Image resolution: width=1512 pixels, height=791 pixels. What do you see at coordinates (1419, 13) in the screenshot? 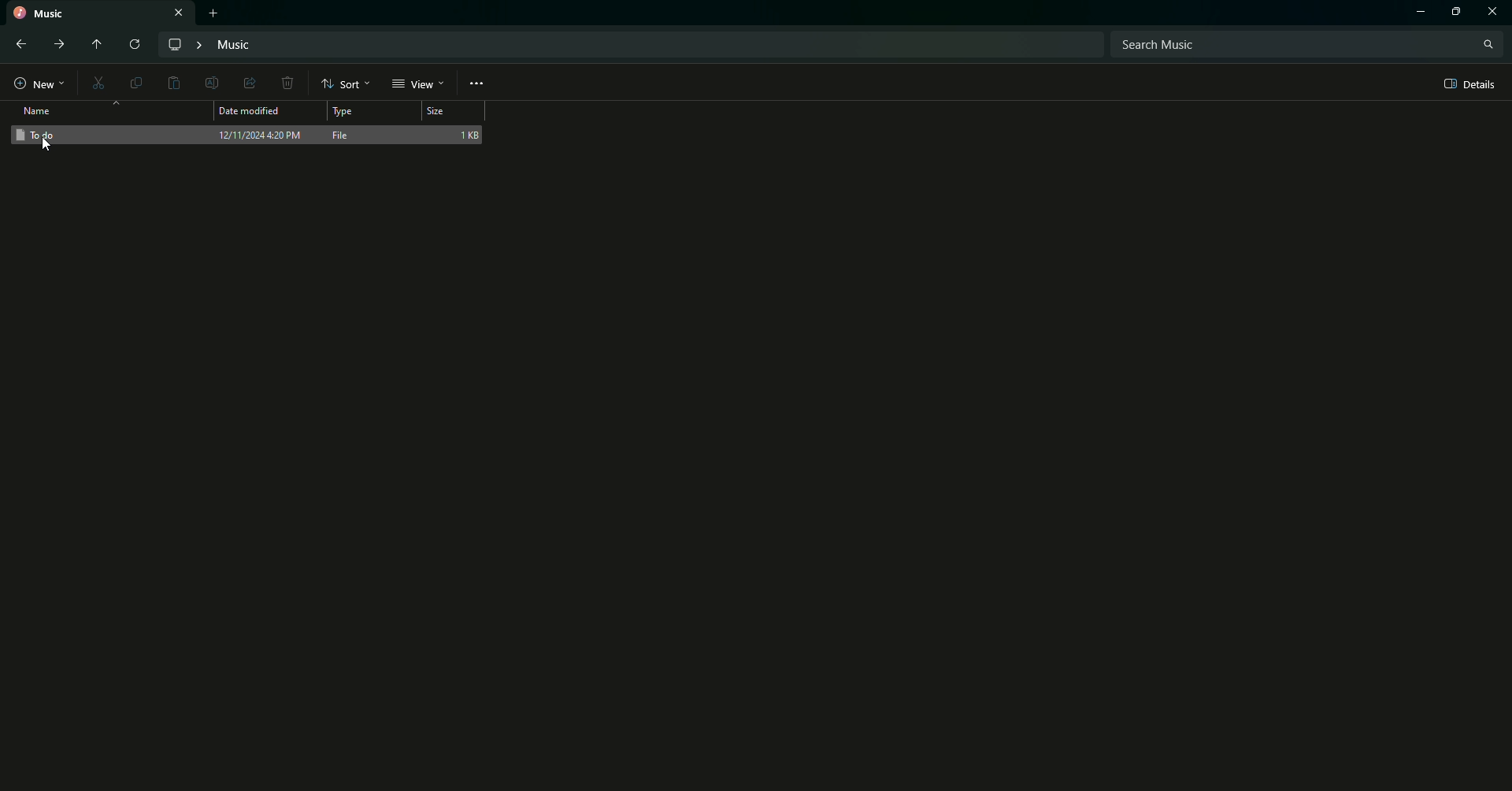
I see `Minimize` at bounding box center [1419, 13].